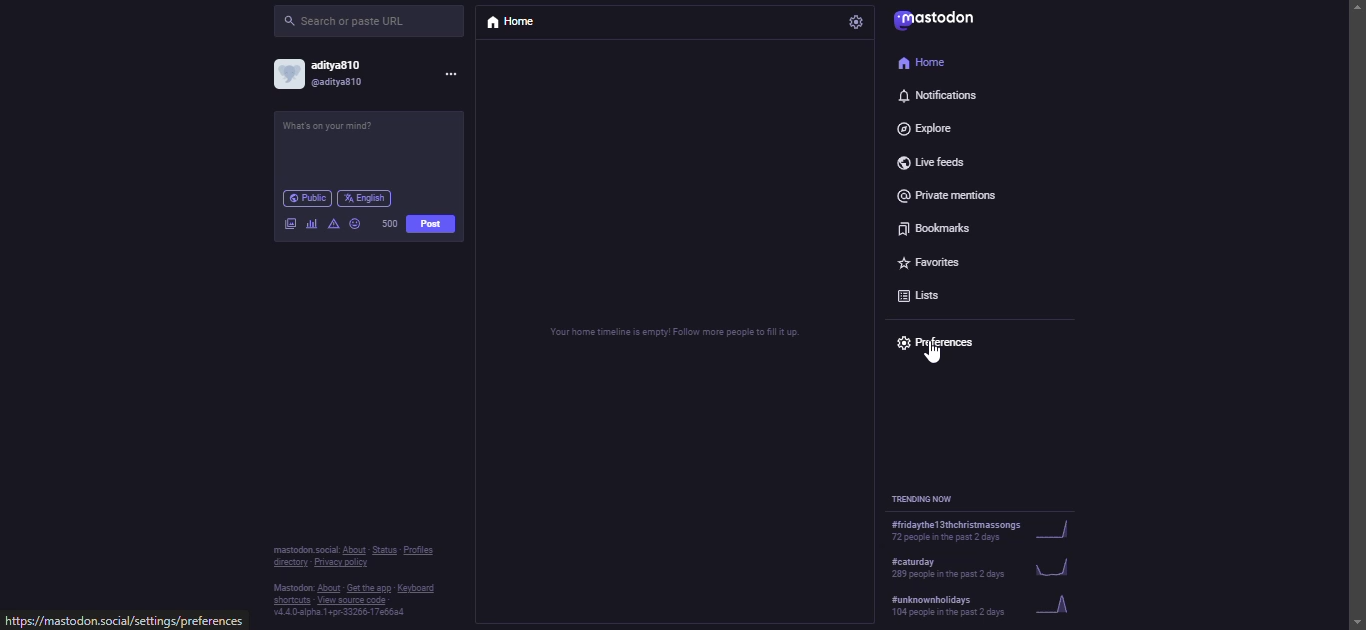 This screenshot has height=630, width=1366. What do you see at coordinates (309, 231) in the screenshot?
I see `polls` at bounding box center [309, 231].